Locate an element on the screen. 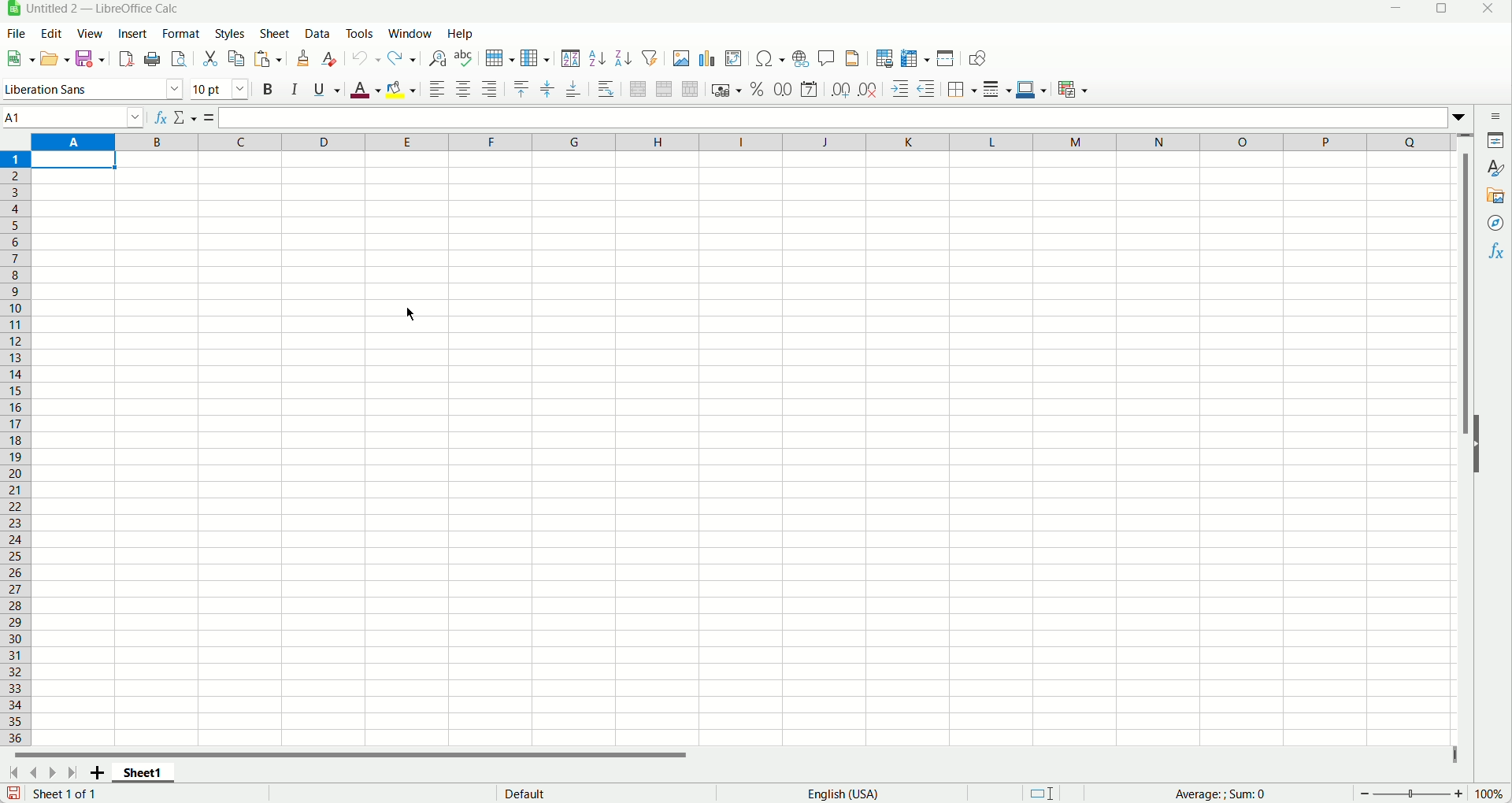 Image resolution: width=1512 pixels, height=803 pixels. Paste is located at coordinates (267, 59).